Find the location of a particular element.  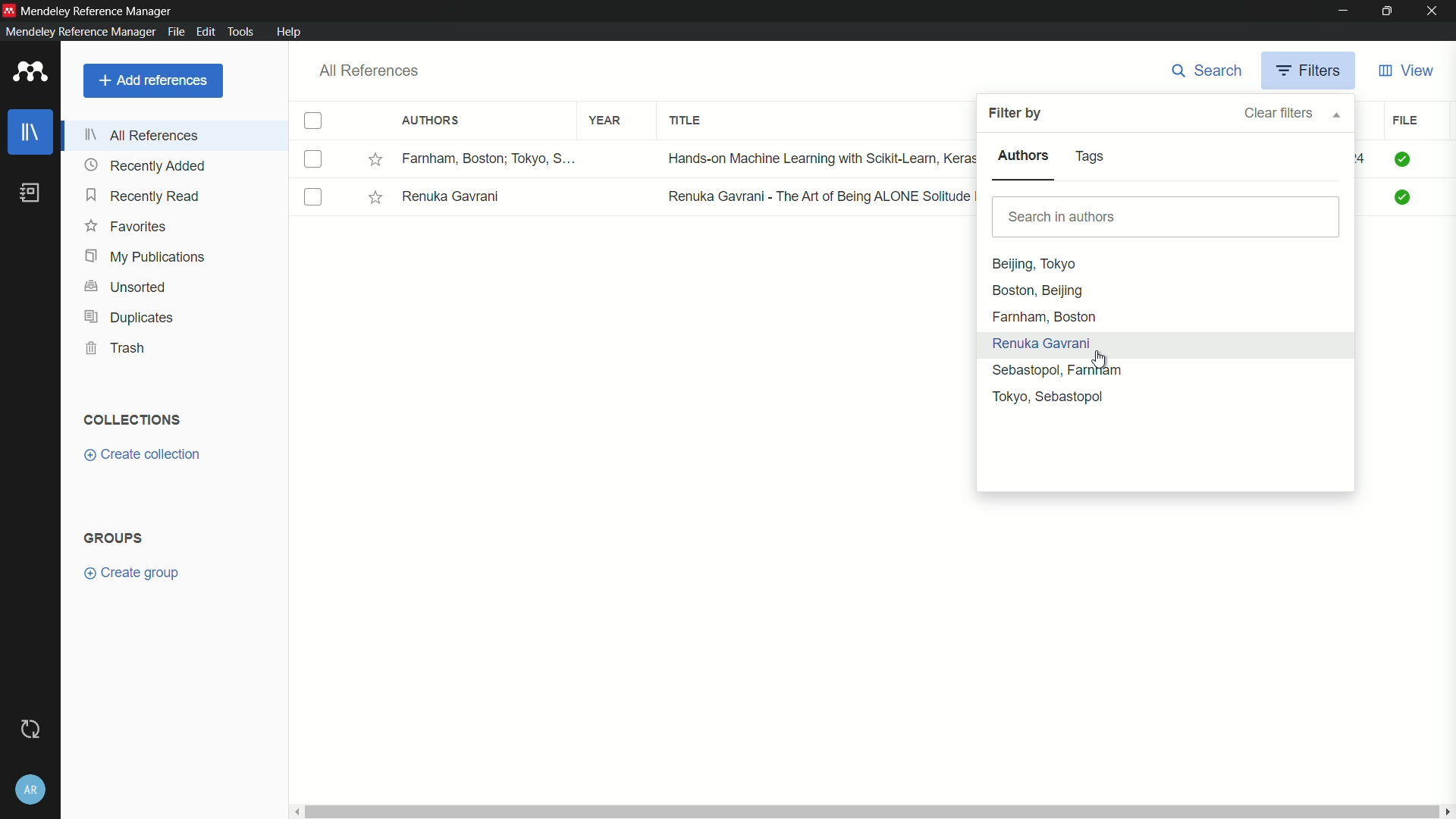

my publications is located at coordinates (146, 257).